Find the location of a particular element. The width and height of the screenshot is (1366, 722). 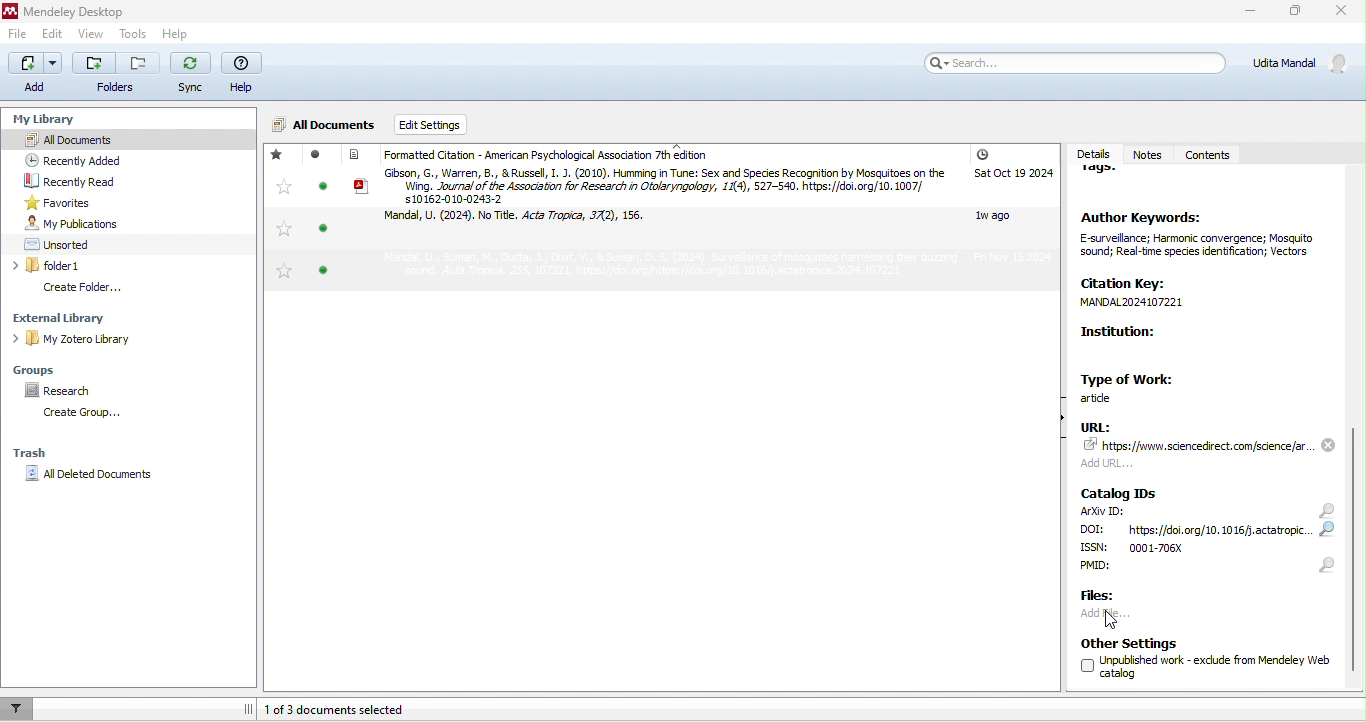

trash is located at coordinates (43, 450).